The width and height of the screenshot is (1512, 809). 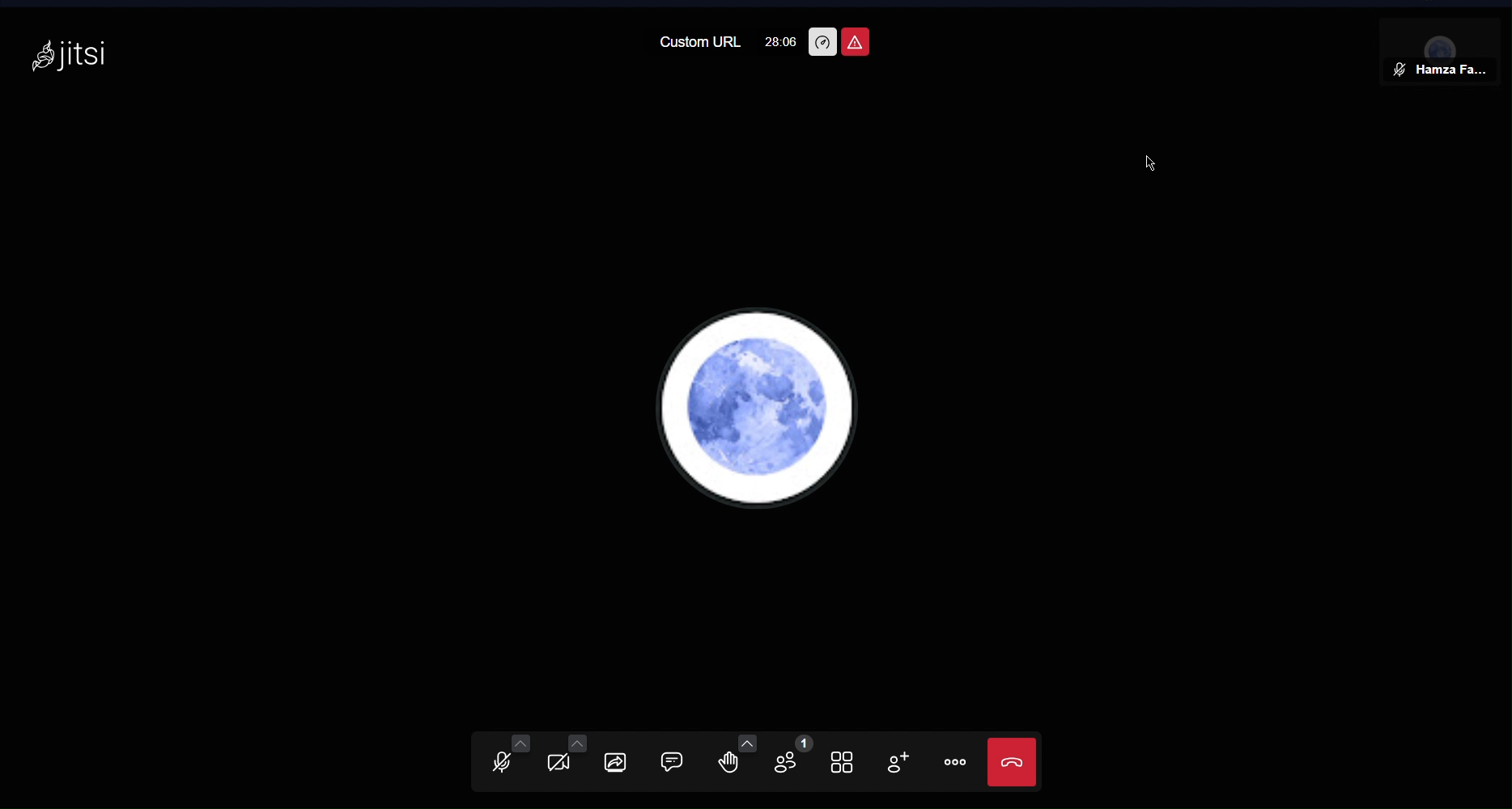 I want to click on Account PFP, so click(x=760, y=405).